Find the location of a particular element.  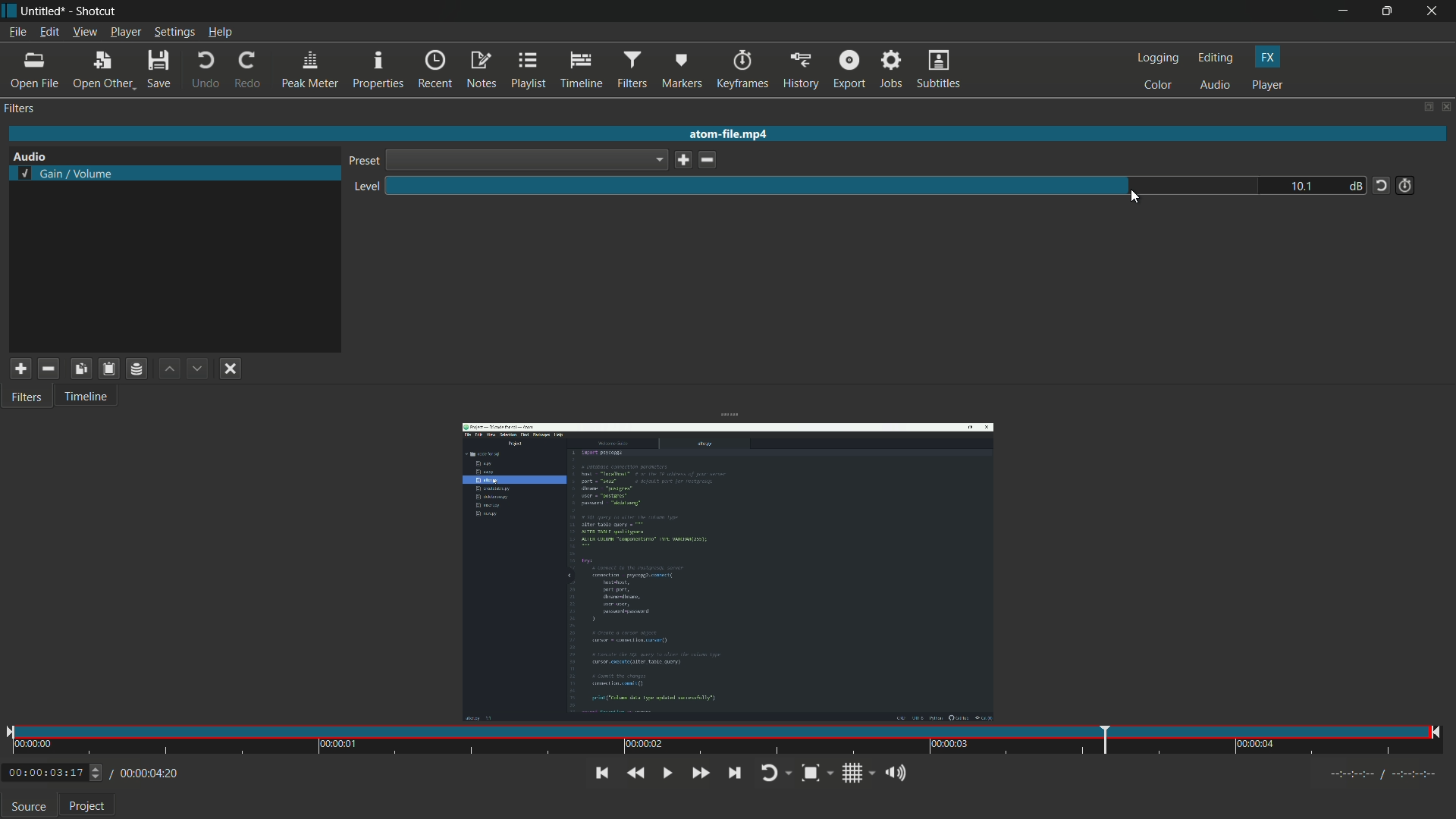

peak meter is located at coordinates (311, 71).